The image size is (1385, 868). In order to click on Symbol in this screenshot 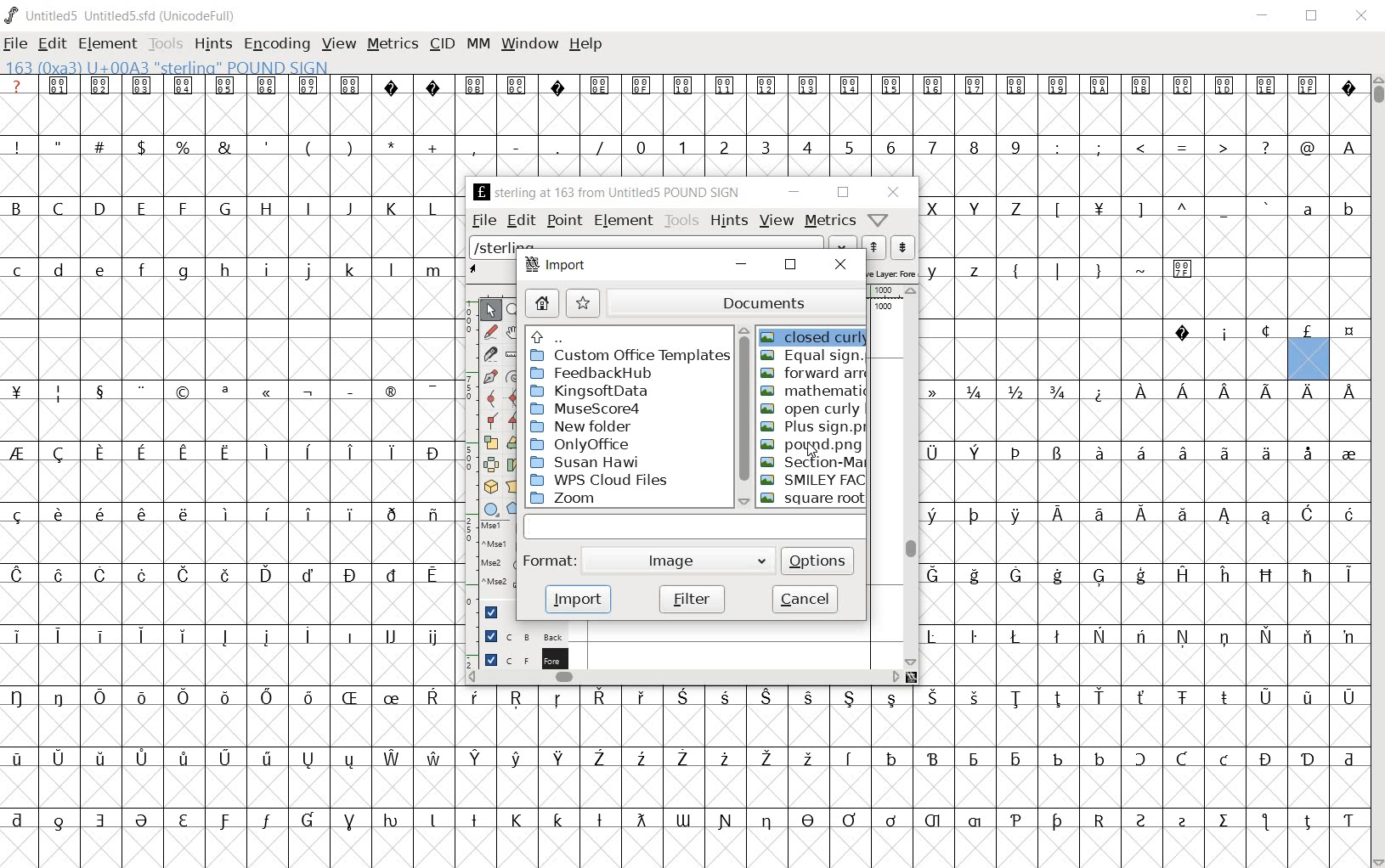, I will do `click(1347, 635)`.